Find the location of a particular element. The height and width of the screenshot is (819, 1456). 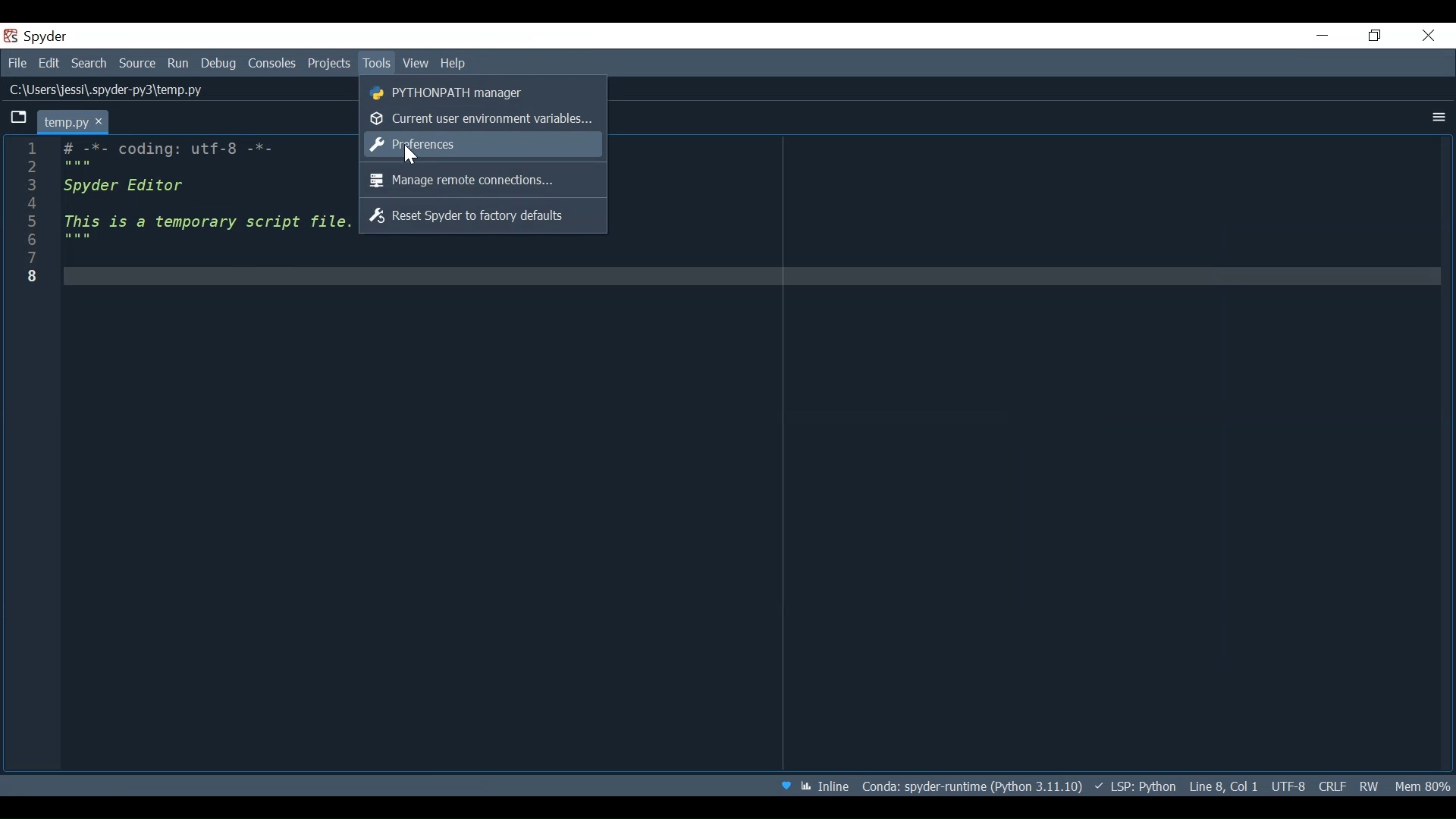

Toggle inline and interactive Matplotlib plotting is located at coordinates (836, 787).